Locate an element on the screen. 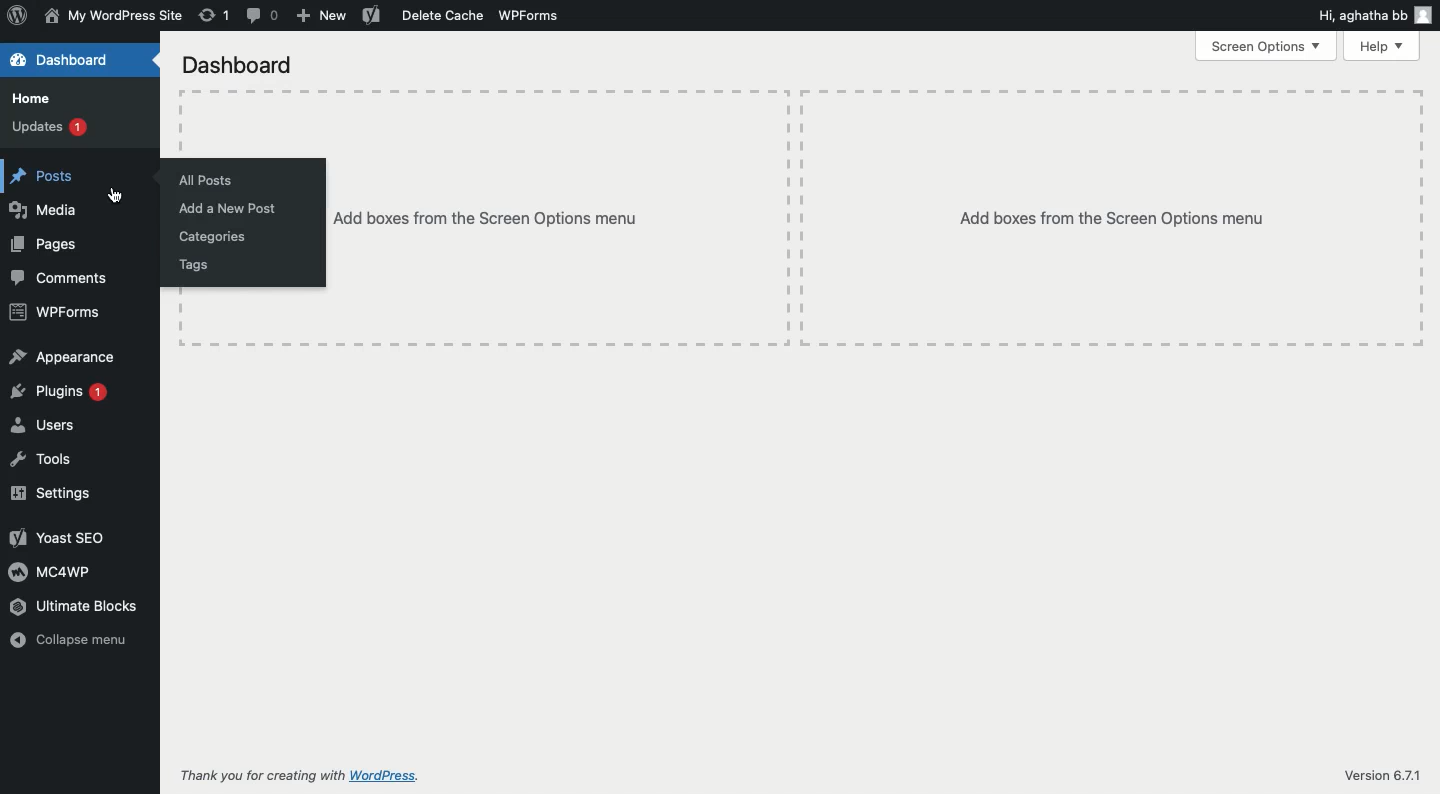 This screenshot has width=1440, height=794. Appearance is located at coordinates (65, 357).